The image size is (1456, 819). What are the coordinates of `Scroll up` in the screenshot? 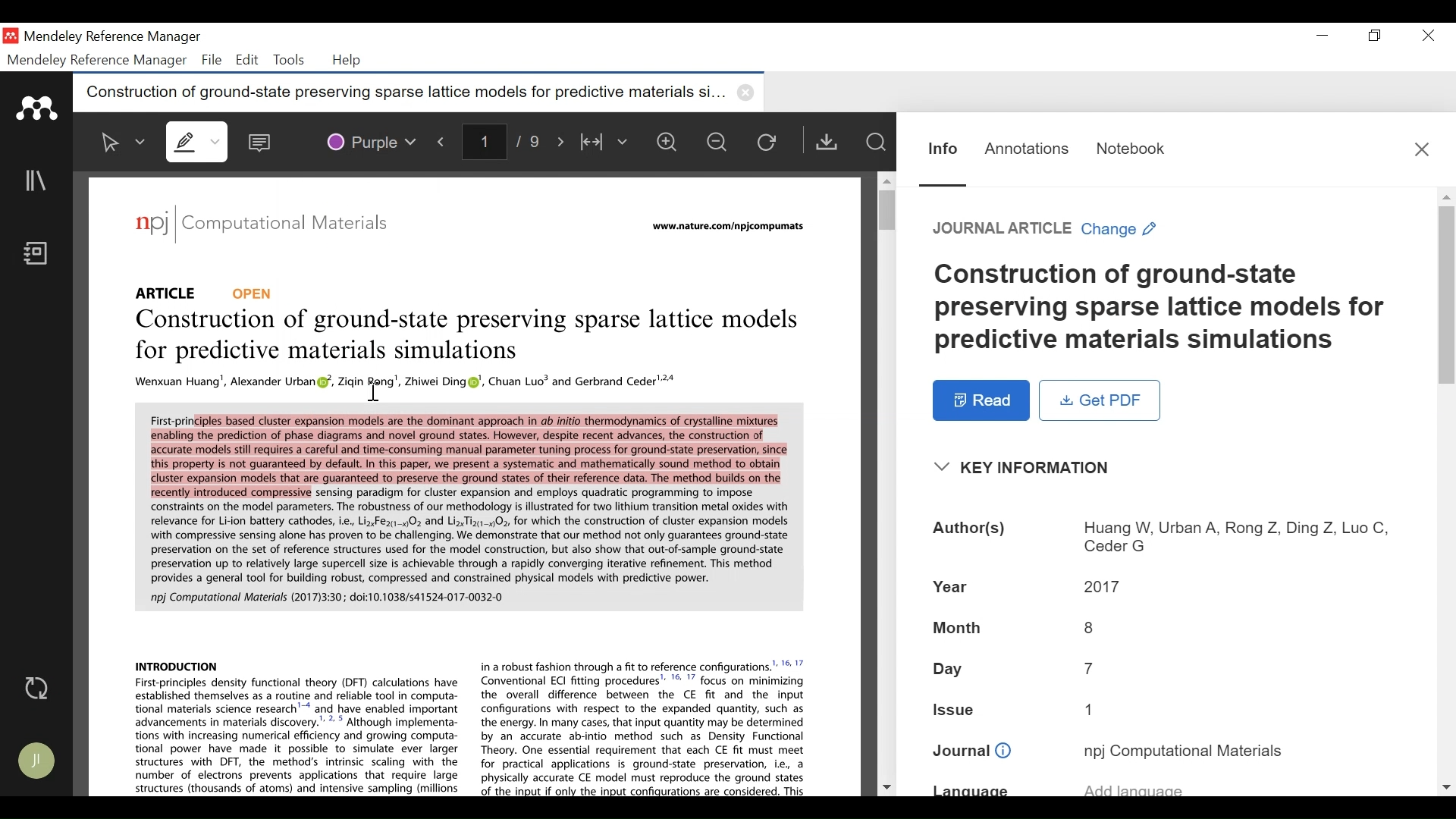 It's located at (885, 178).